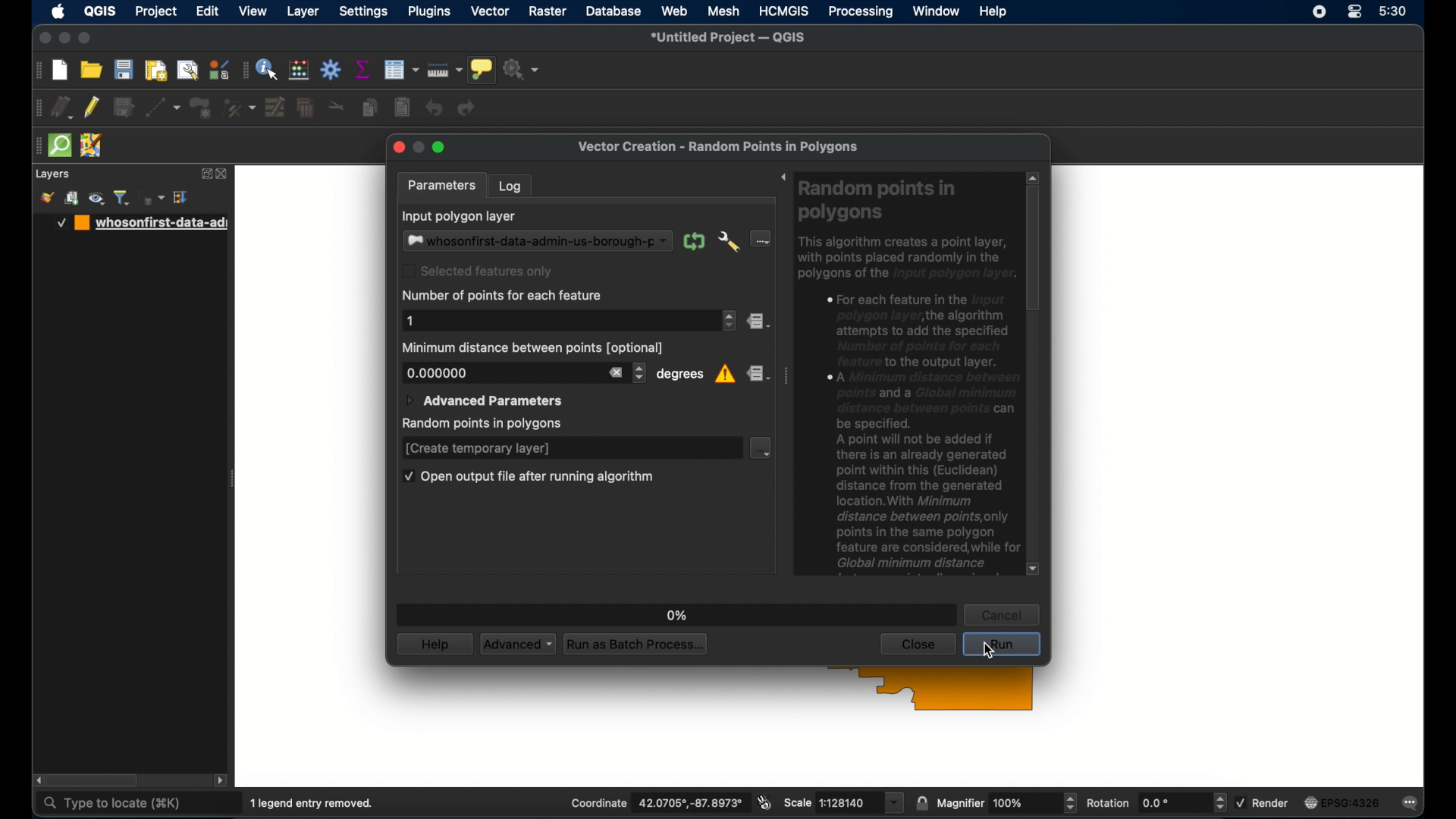 The height and width of the screenshot is (819, 1456). I want to click on help, so click(435, 644).